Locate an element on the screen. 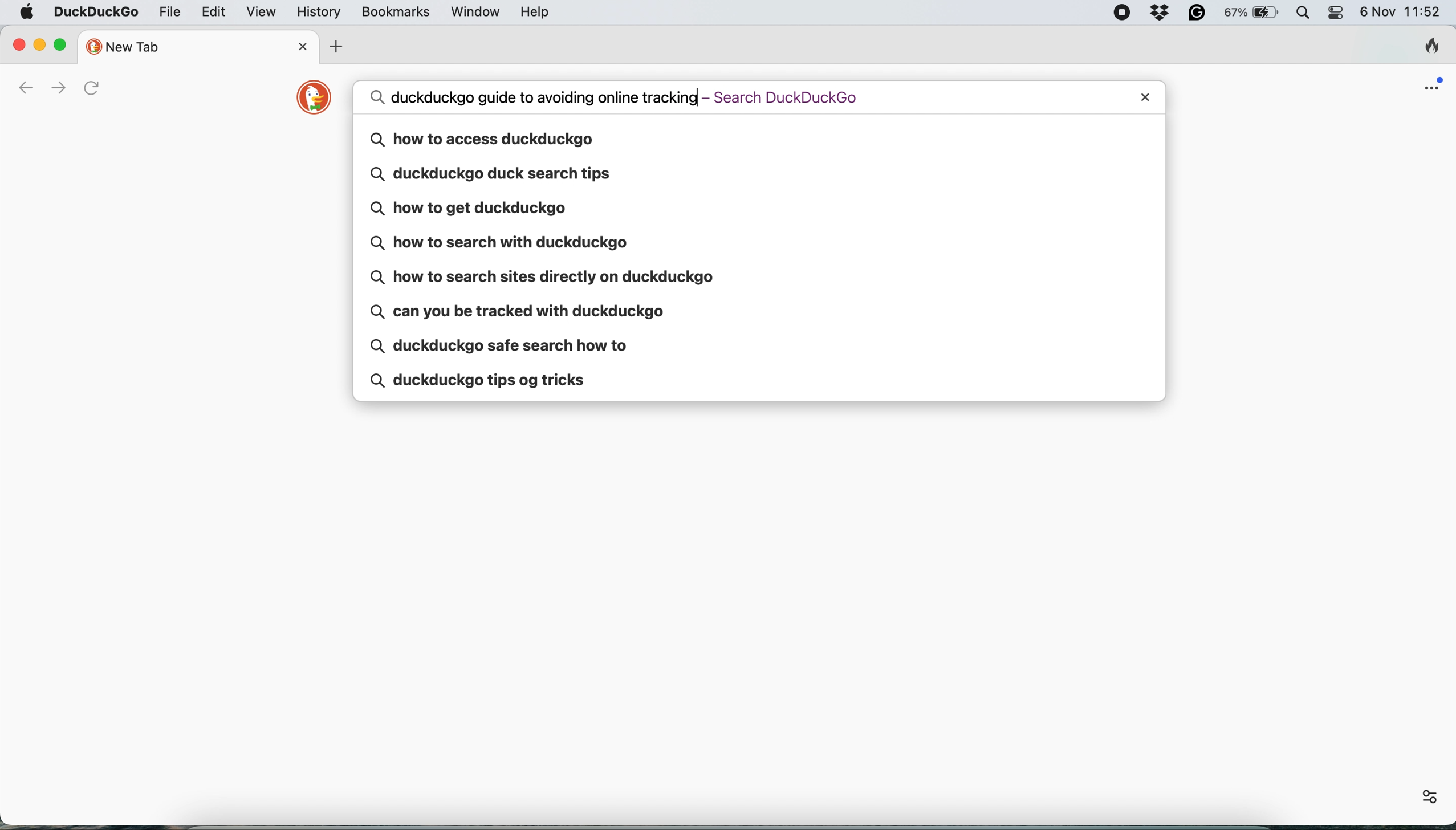 Image resolution: width=1456 pixels, height=830 pixels. refresh is located at coordinates (96, 88).